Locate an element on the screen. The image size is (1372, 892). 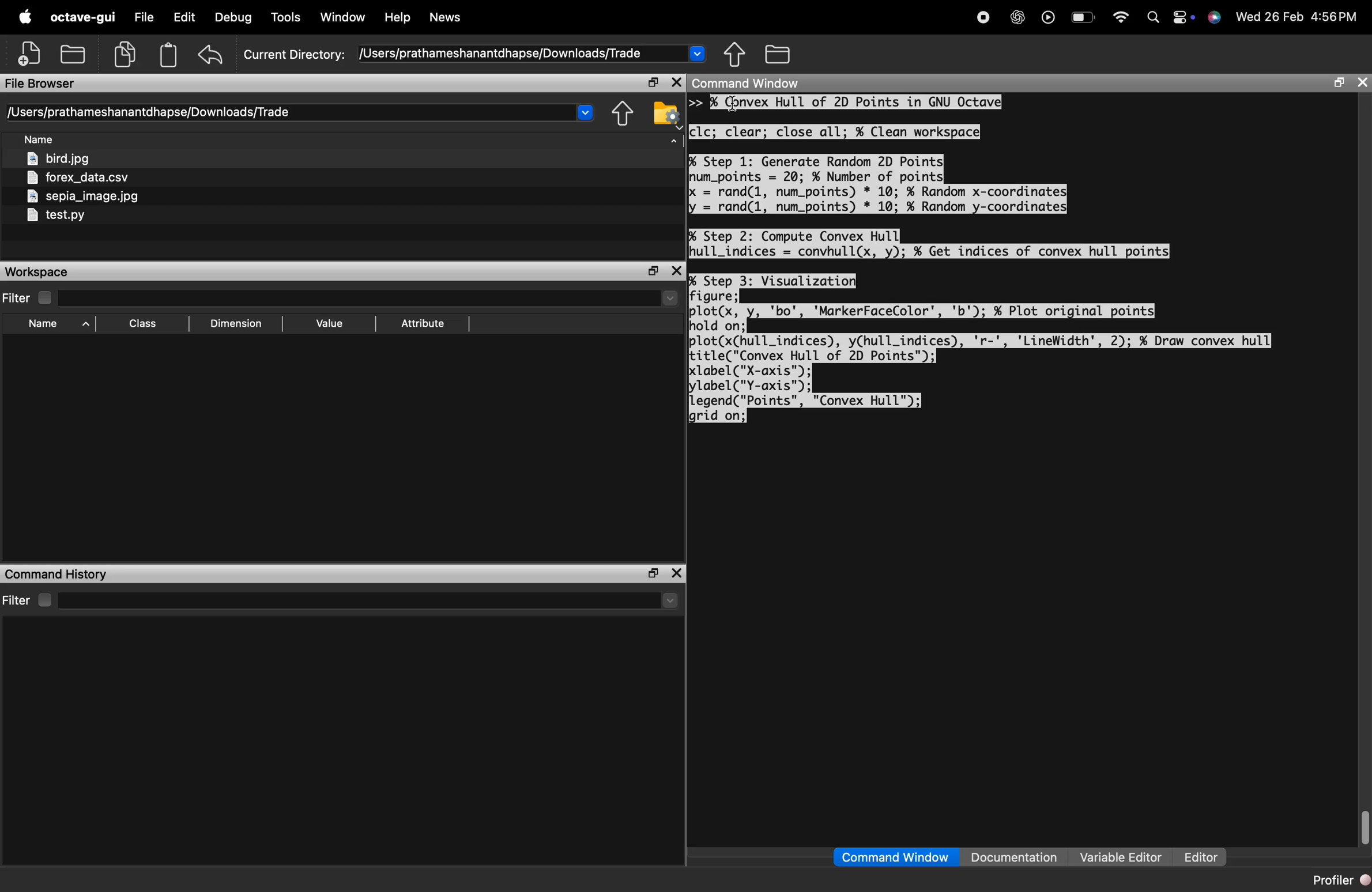
cursor is located at coordinates (735, 106).